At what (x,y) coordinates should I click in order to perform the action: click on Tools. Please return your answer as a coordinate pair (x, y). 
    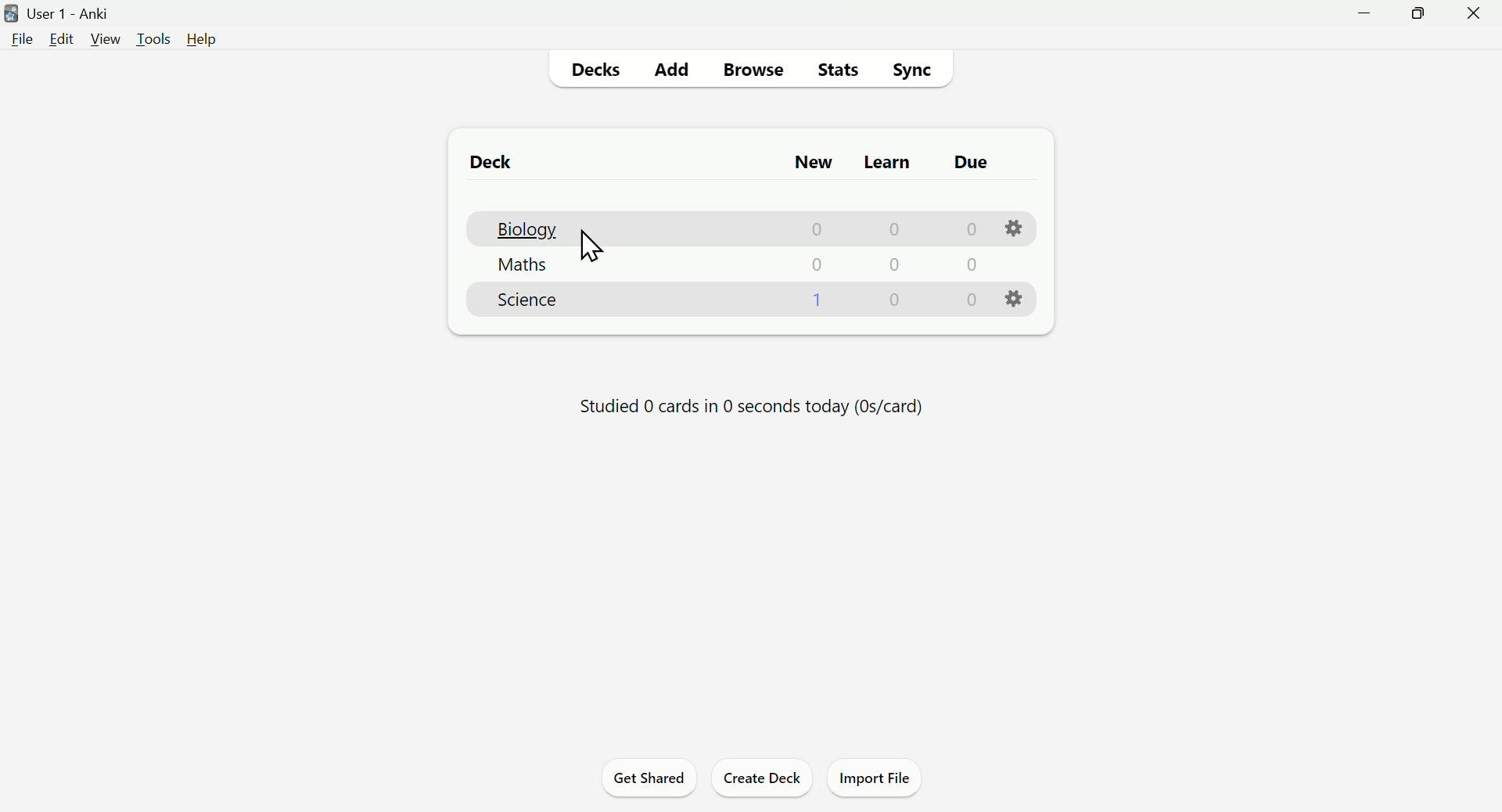
    Looking at the image, I should click on (148, 35).